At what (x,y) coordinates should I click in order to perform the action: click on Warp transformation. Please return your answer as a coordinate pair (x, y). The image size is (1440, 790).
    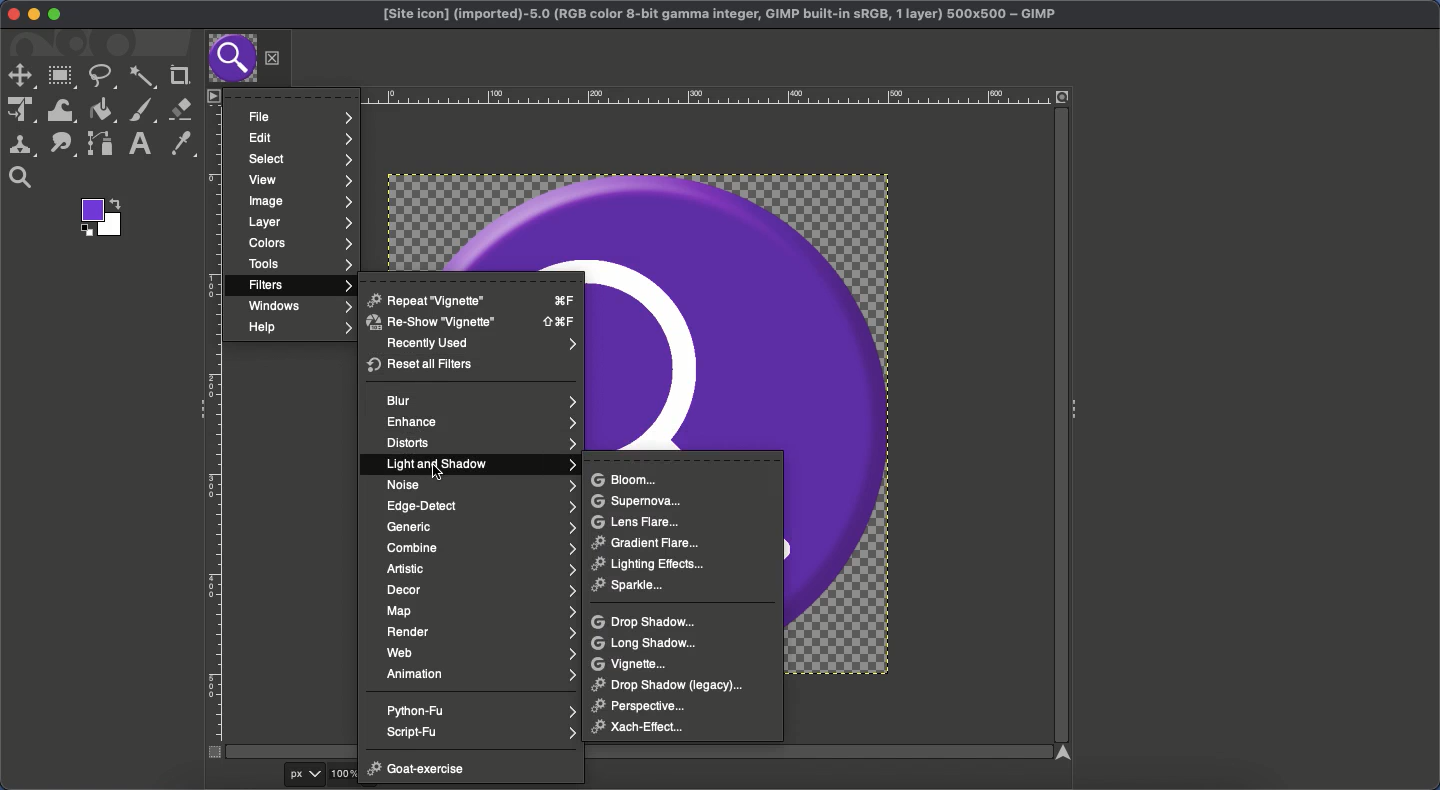
    Looking at the image, I should click on (62, 110).